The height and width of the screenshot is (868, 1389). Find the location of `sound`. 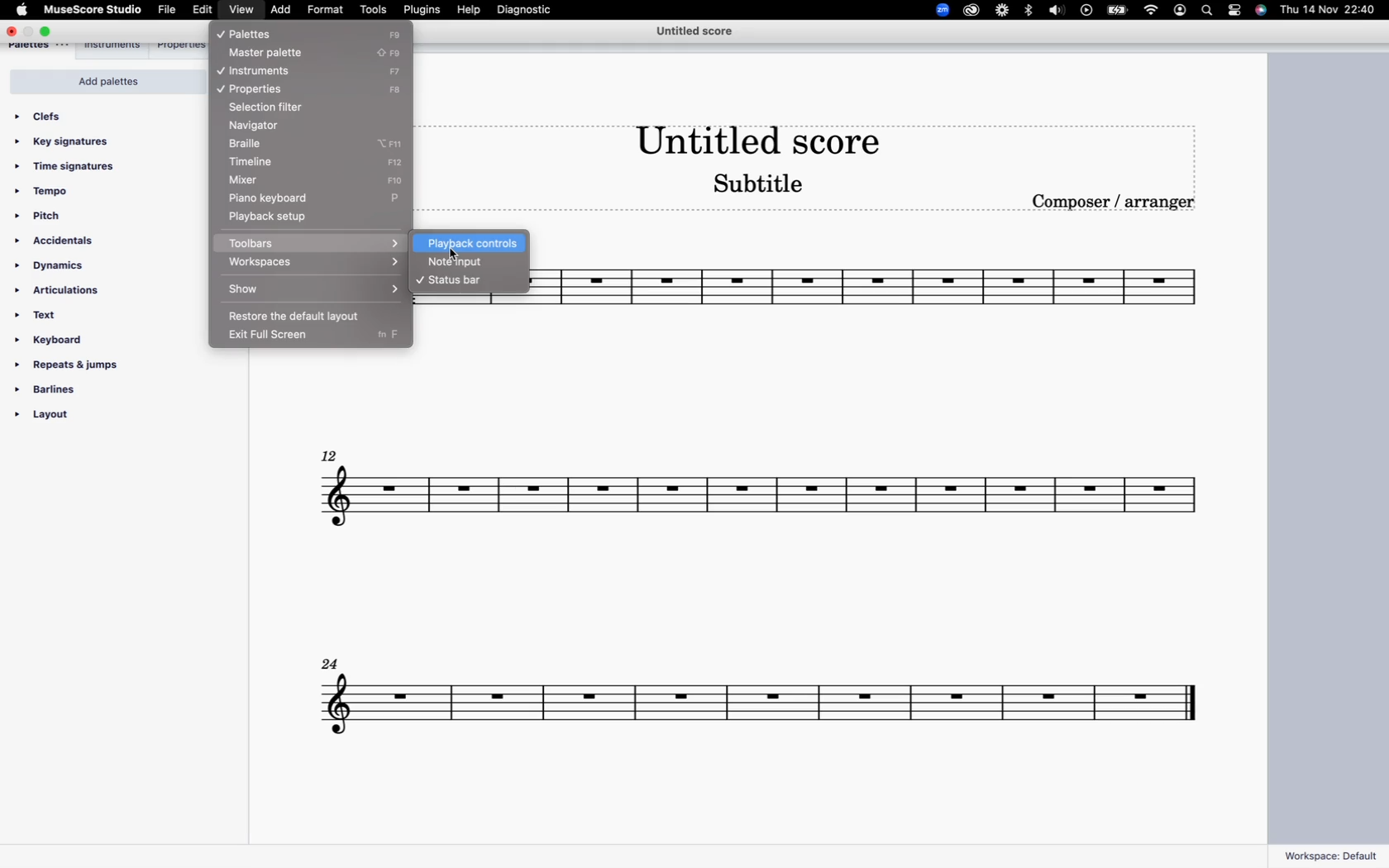

sound is located at coordinates (1057, 12).